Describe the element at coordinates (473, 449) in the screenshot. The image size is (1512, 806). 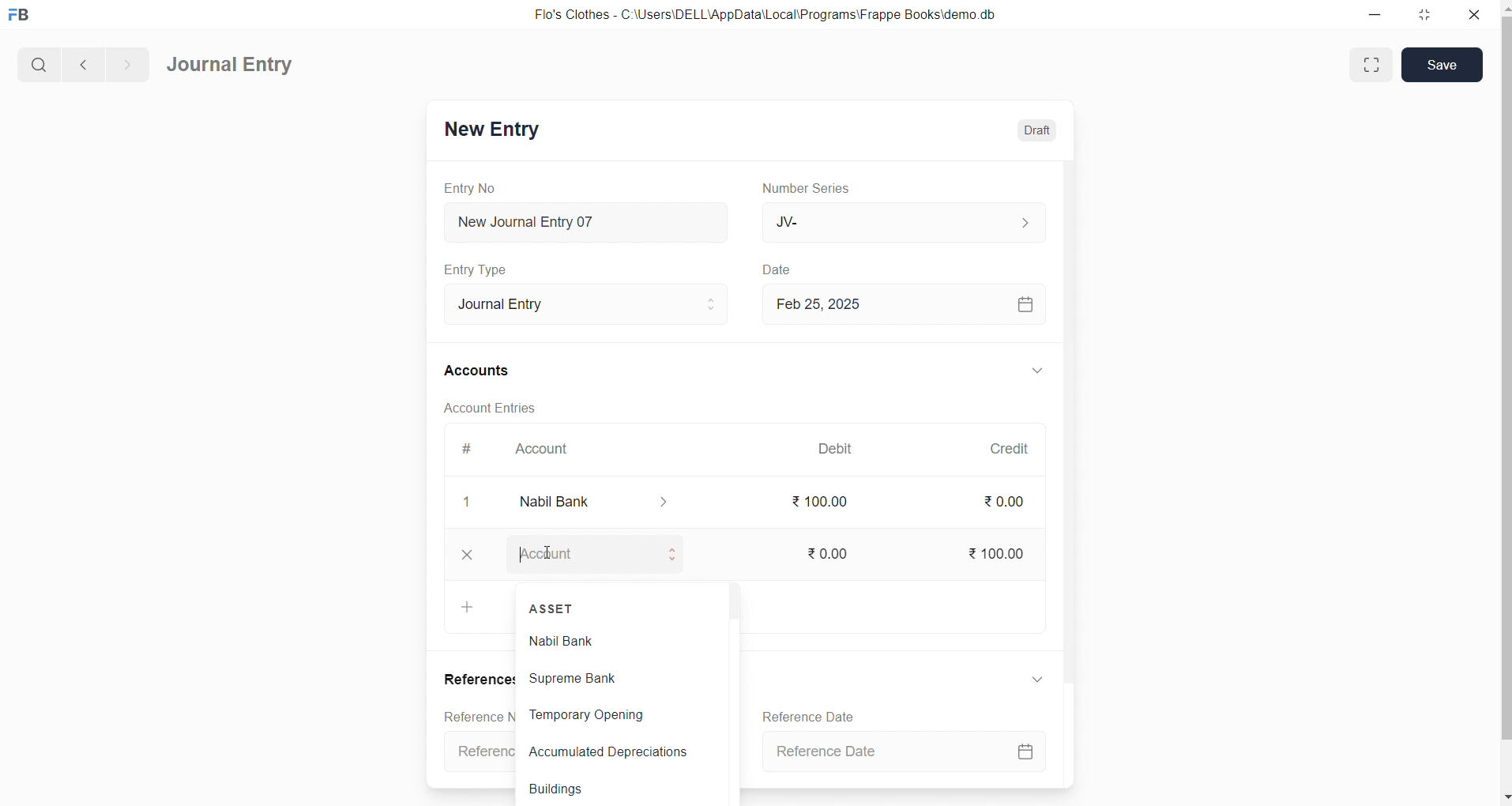
I see `#` at that location.